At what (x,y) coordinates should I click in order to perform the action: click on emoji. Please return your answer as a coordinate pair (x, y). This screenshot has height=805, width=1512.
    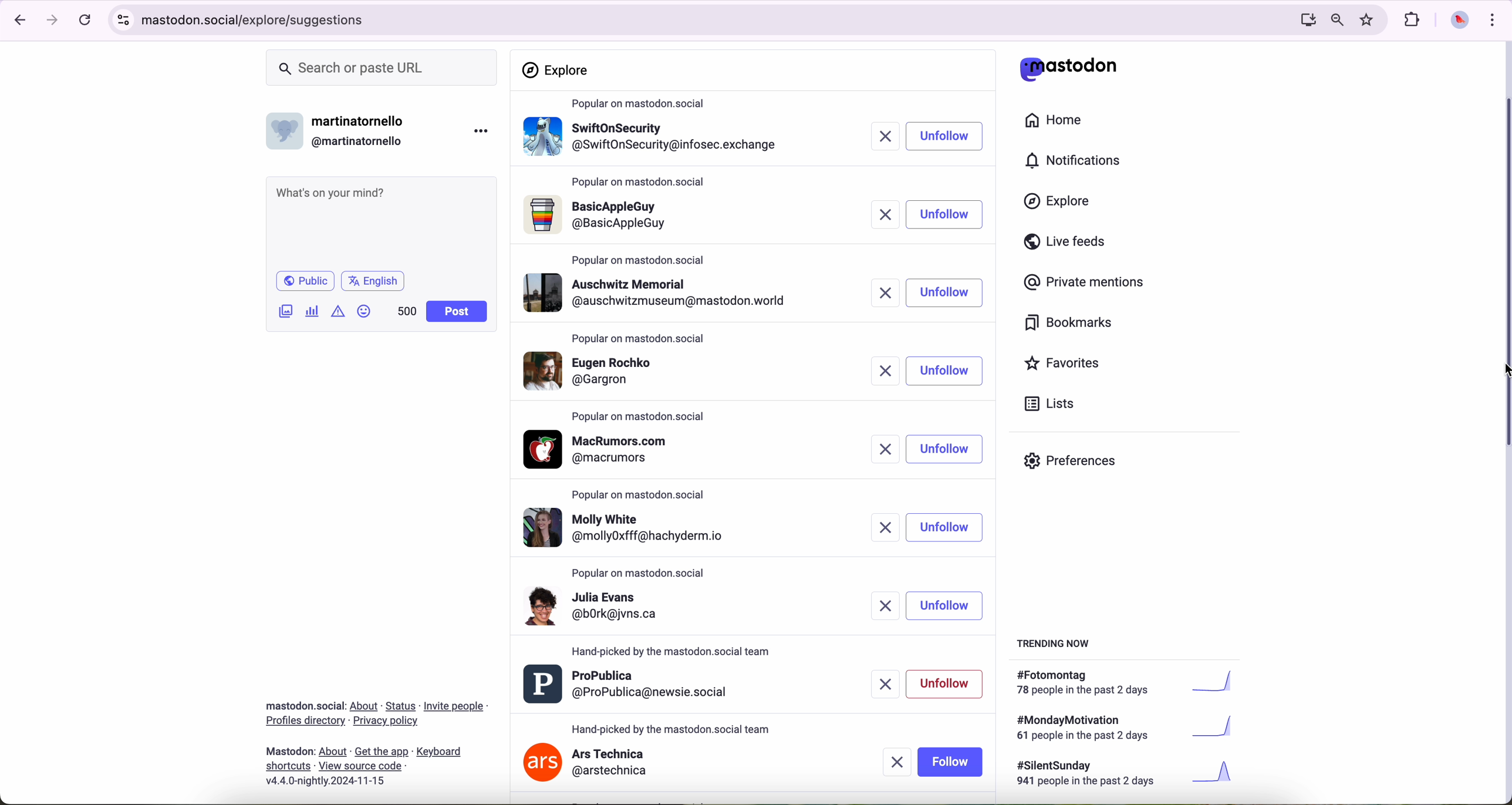
    Looking at the image, I should click on (365, 311).